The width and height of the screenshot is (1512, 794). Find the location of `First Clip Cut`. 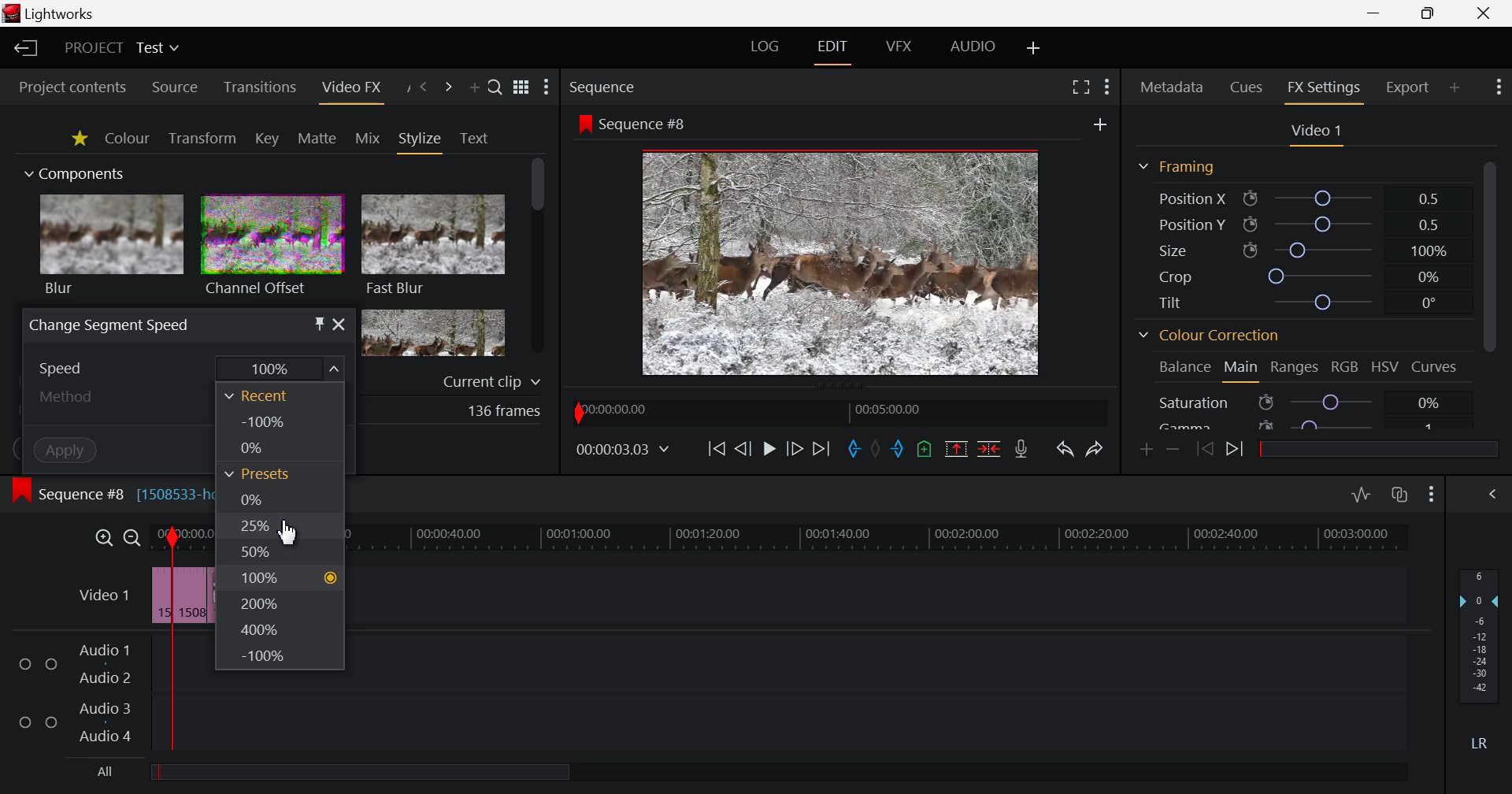

First Clip Cut is located at coordinates (174, 599).